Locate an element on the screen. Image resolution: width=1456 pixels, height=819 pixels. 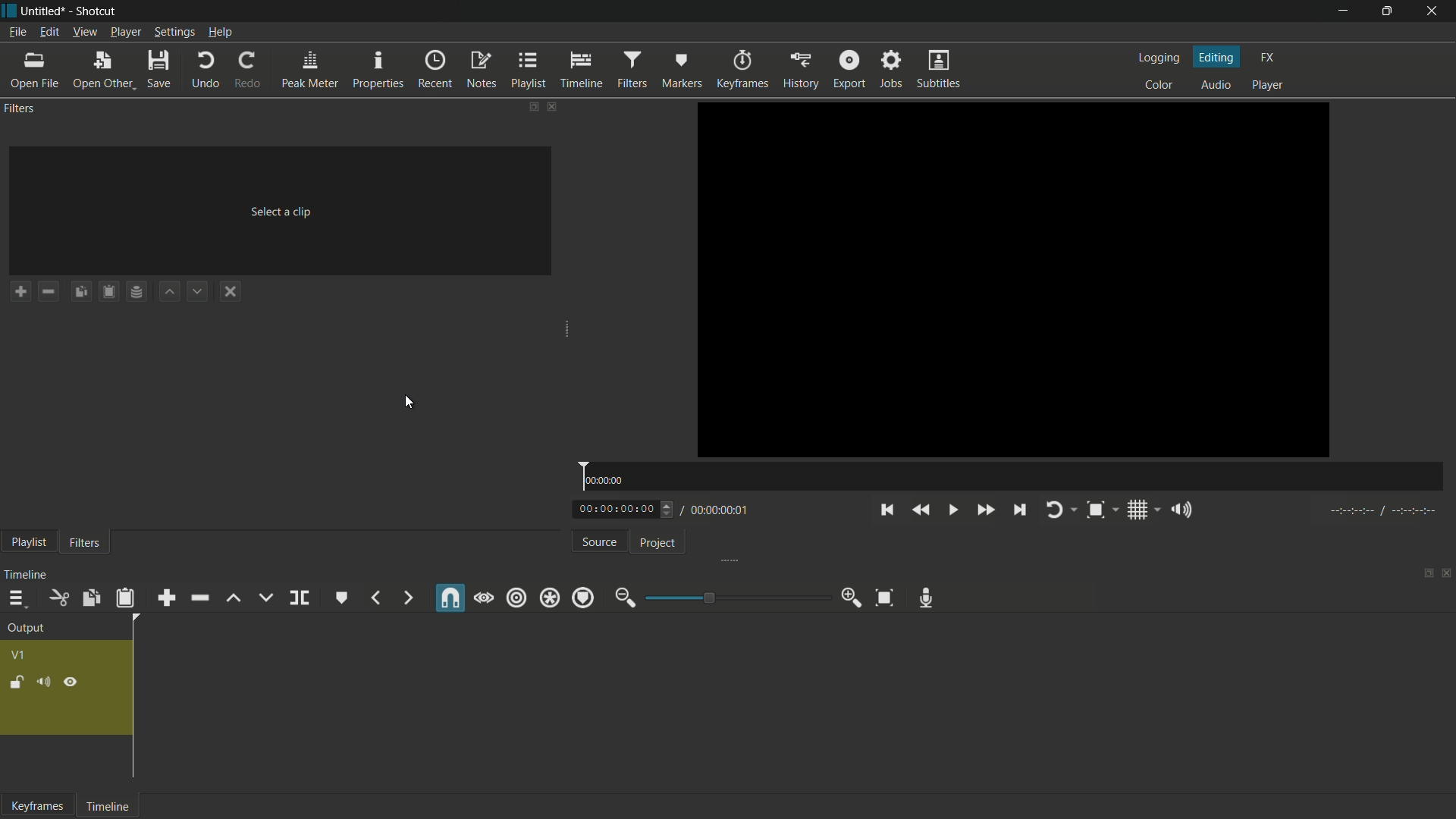
source tab is located at coordinates (600, 542).